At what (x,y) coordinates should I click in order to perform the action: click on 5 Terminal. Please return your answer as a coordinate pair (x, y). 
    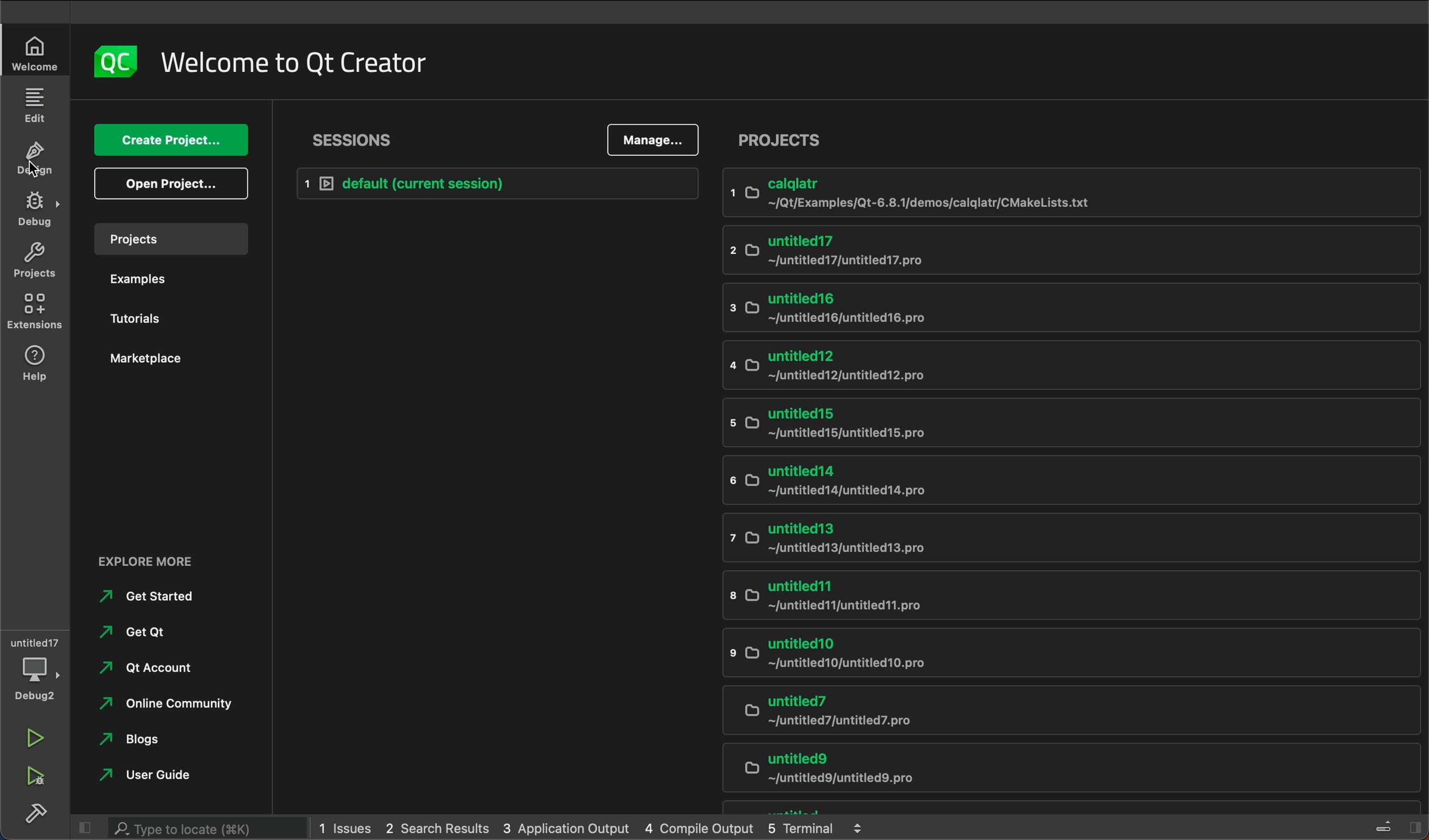
    Looking at the image, I should click on (800, 826).